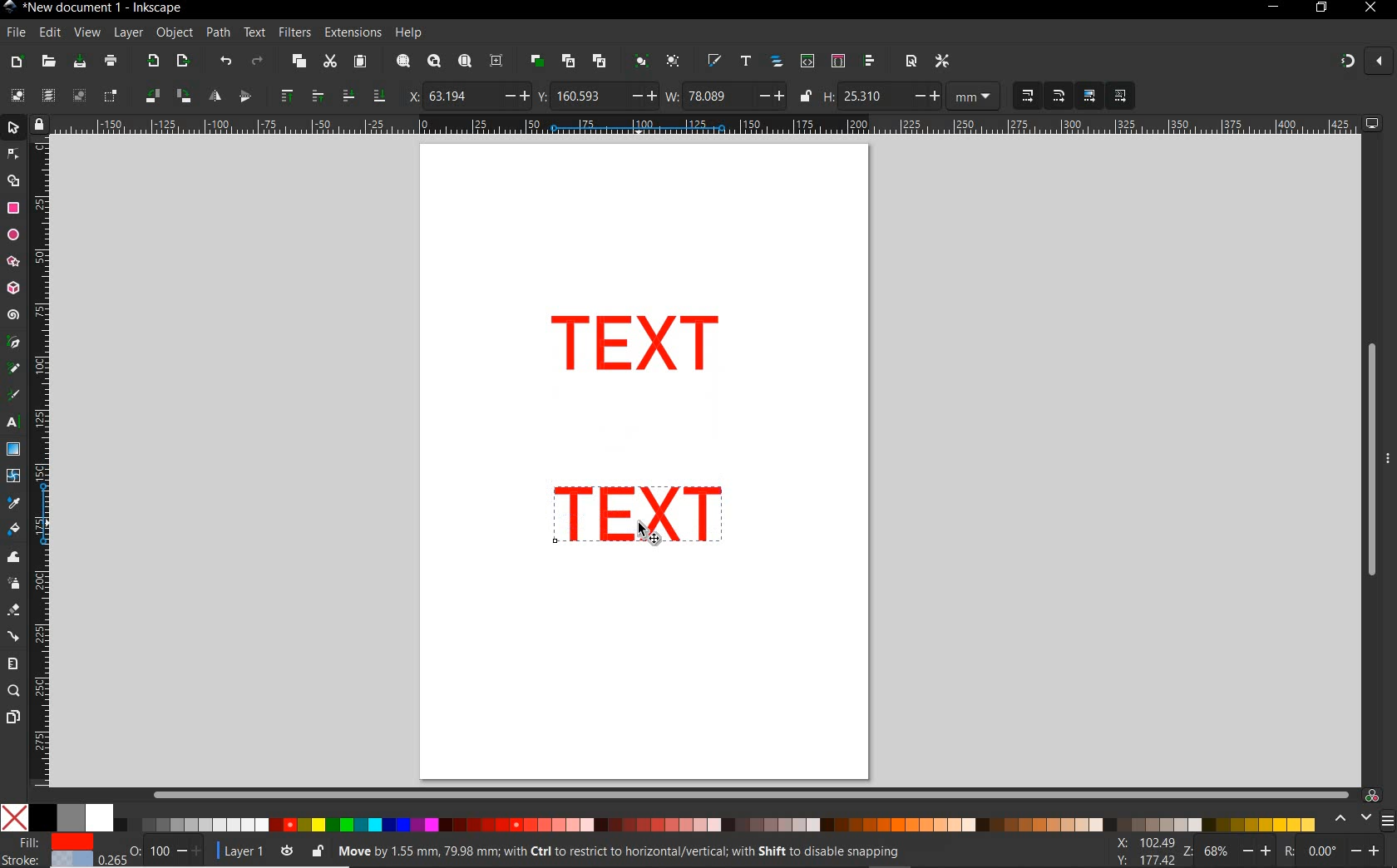 The image size is (1397, 868). I want to click on Height of selection, so click(881, 96).